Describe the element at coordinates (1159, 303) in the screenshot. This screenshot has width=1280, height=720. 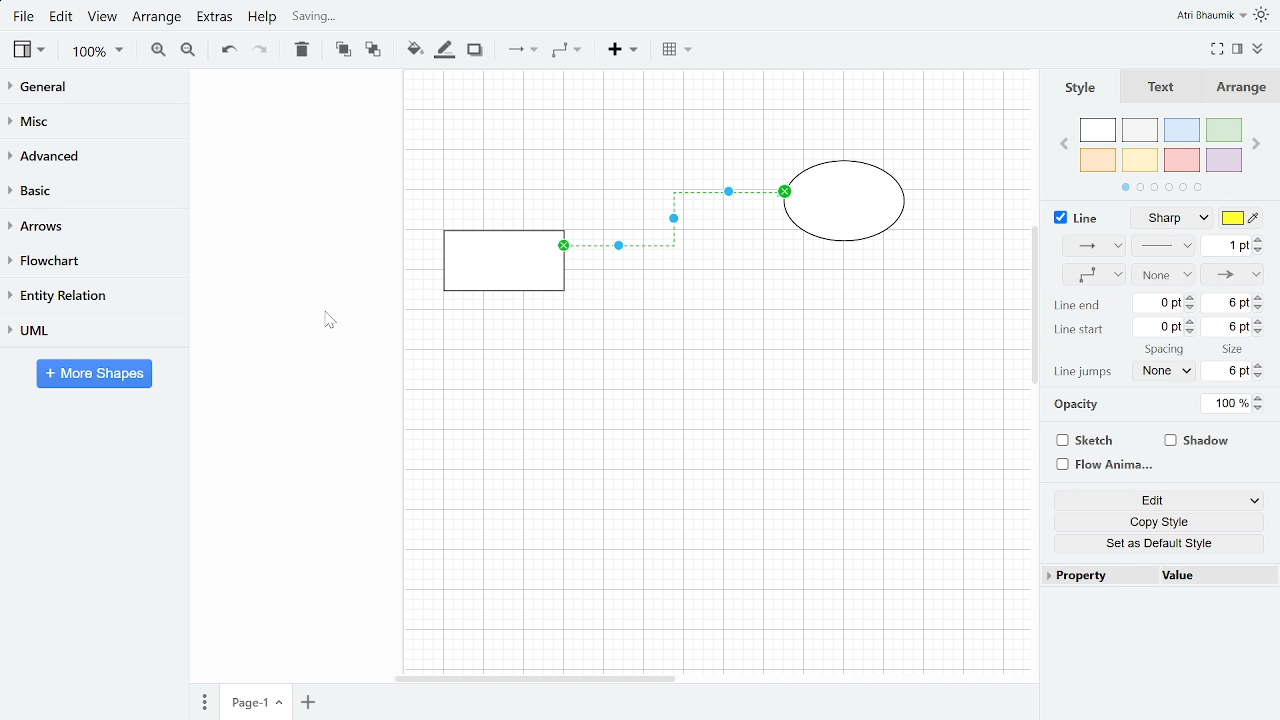
I see `Current line end spacing` at that location.